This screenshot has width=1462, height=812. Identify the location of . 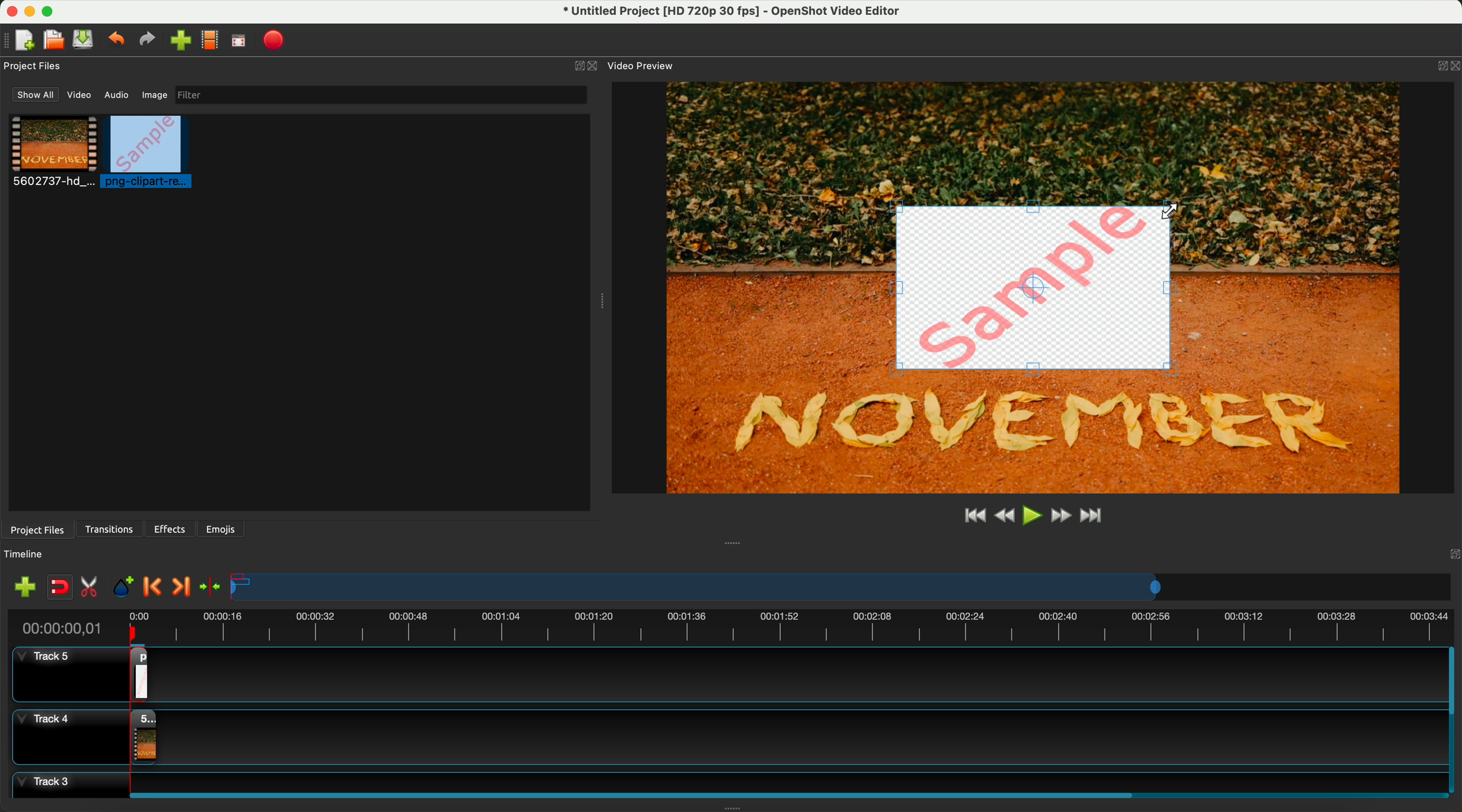
(1451, 553).